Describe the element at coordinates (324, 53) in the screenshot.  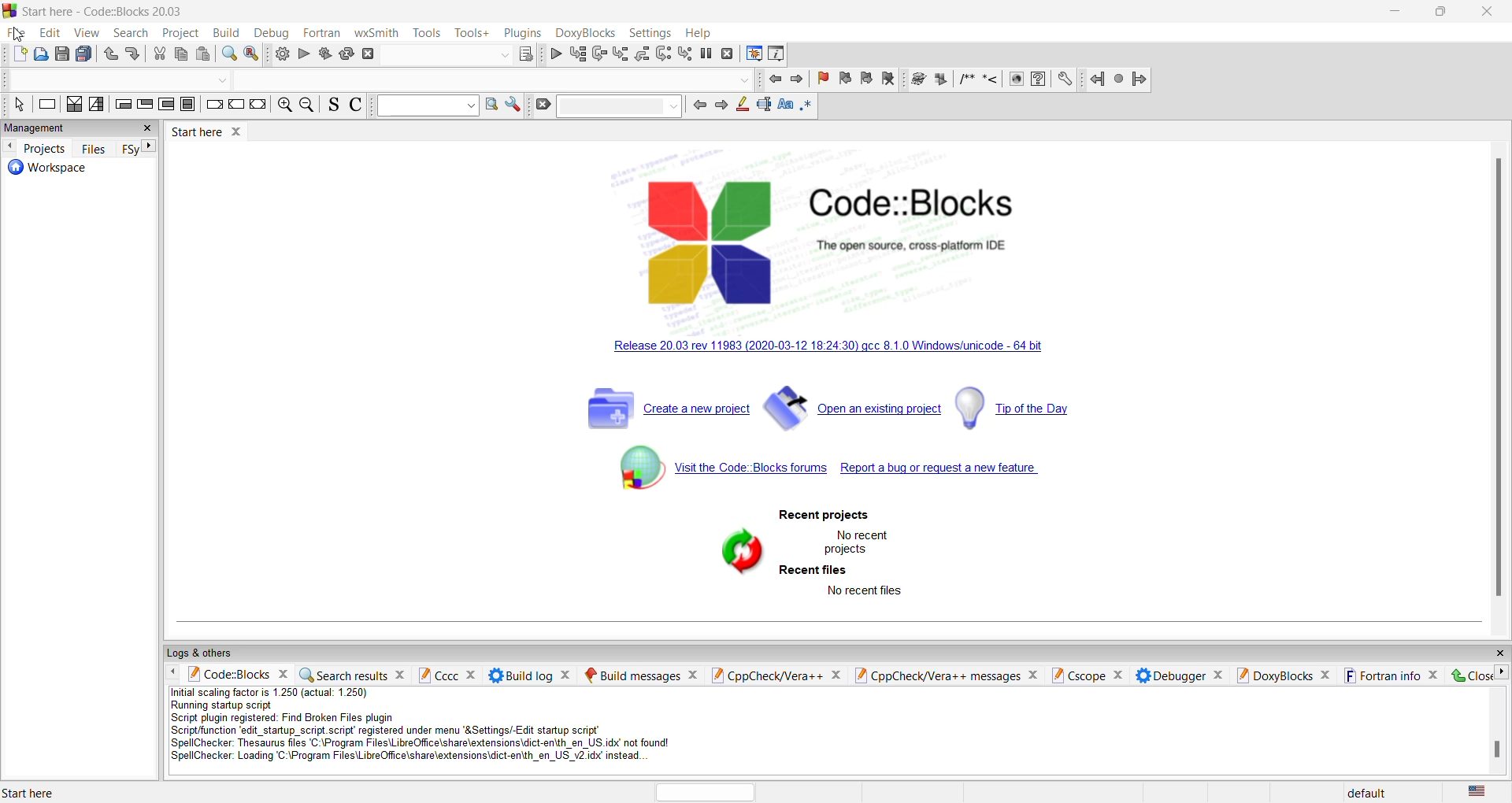
I see `build and run` at that location.